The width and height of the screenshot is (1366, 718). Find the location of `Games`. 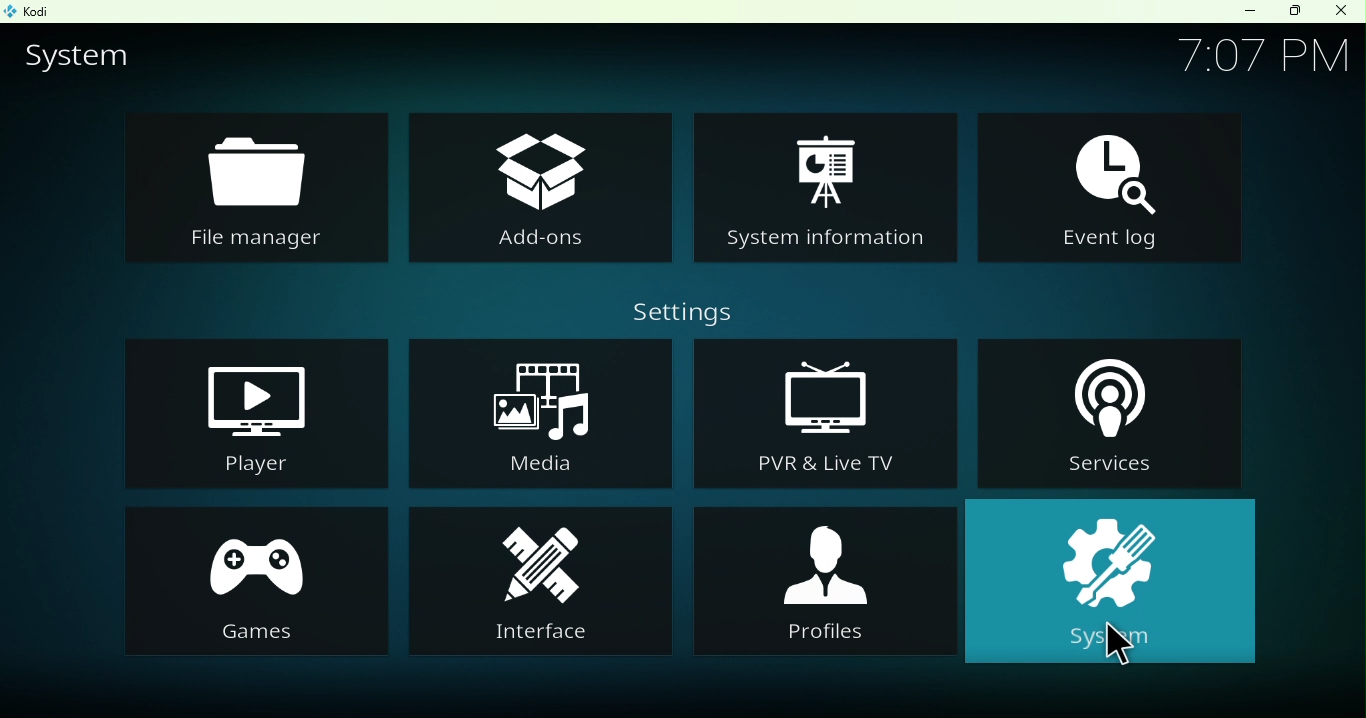

Games is located at coordinates (262, 577).